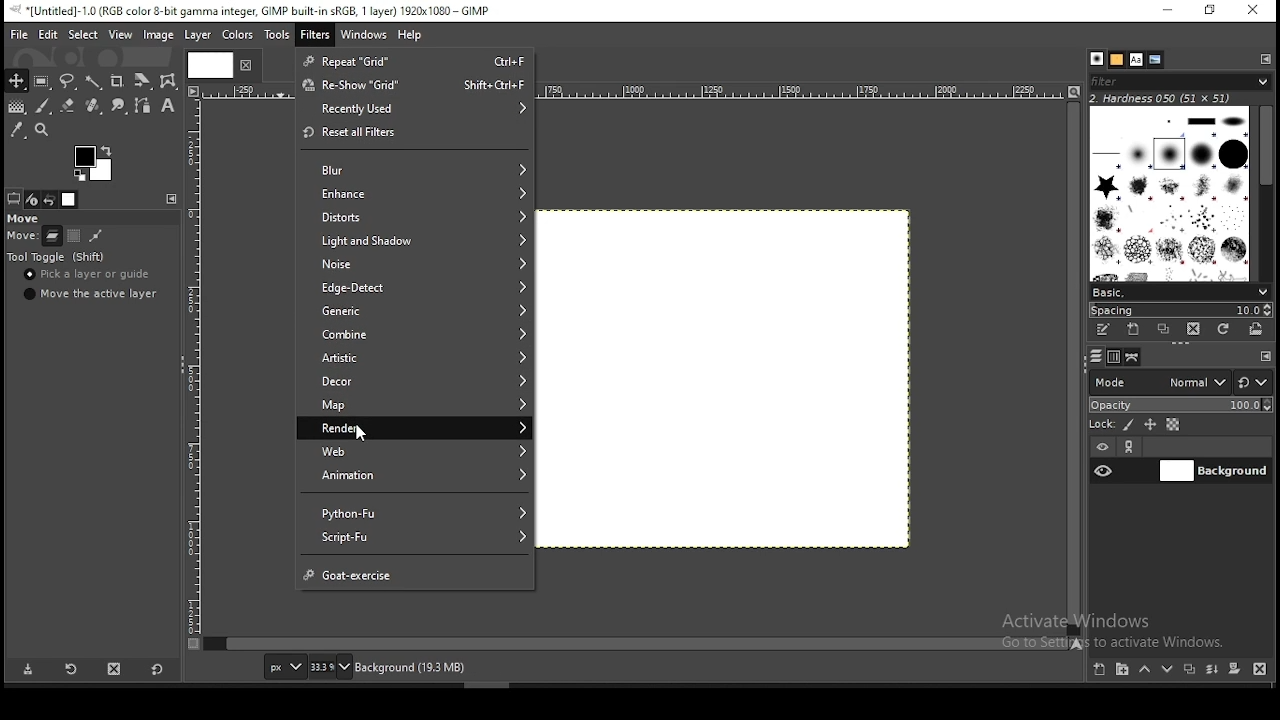 This screenshot has width=1280, height=720. Describe the element at coordinates (1180, 81) in the screenshot. I see `brushes filter` at that location.